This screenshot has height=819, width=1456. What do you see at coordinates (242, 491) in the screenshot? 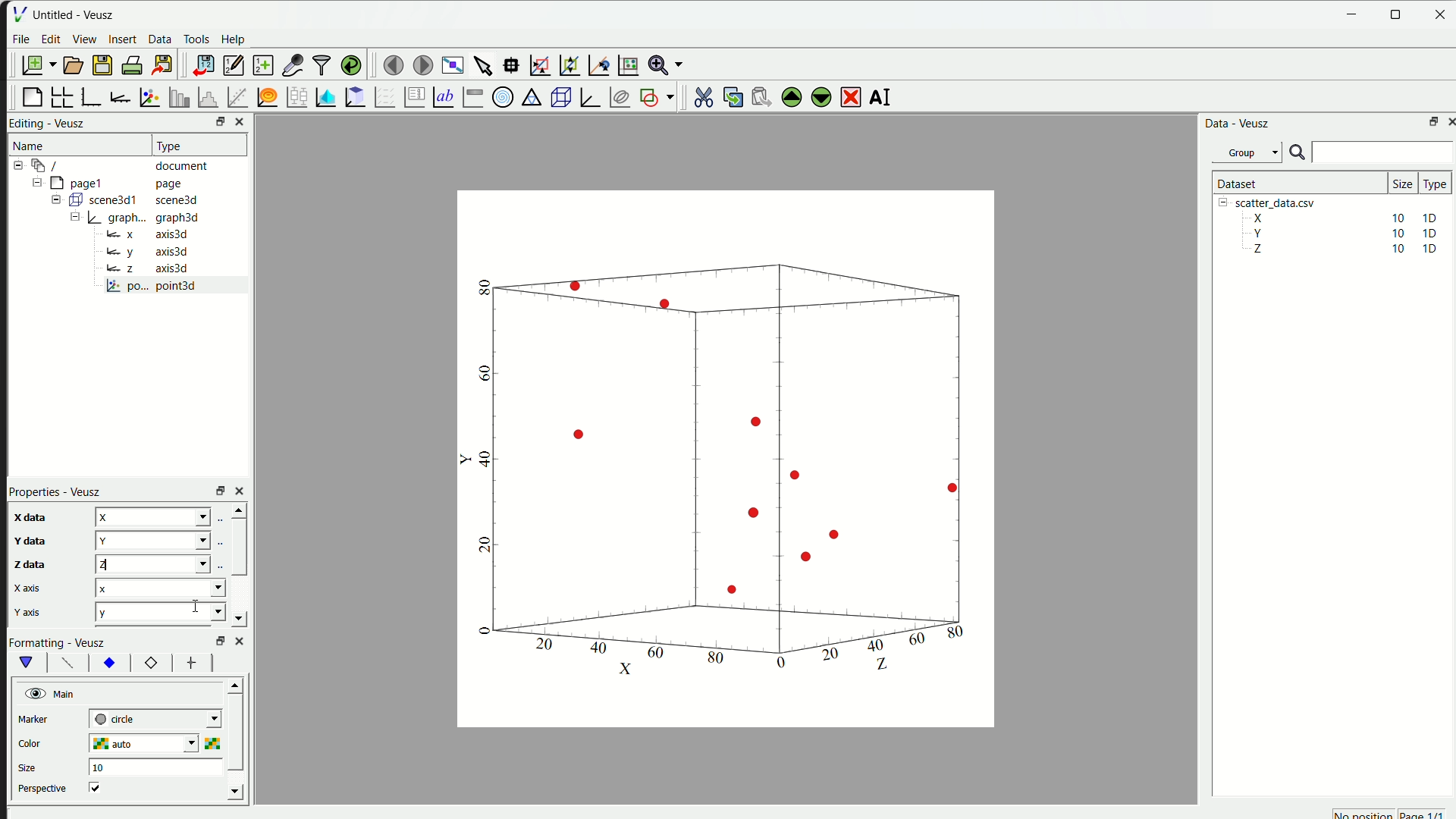
I see `close` at bounding box center [242, 491].